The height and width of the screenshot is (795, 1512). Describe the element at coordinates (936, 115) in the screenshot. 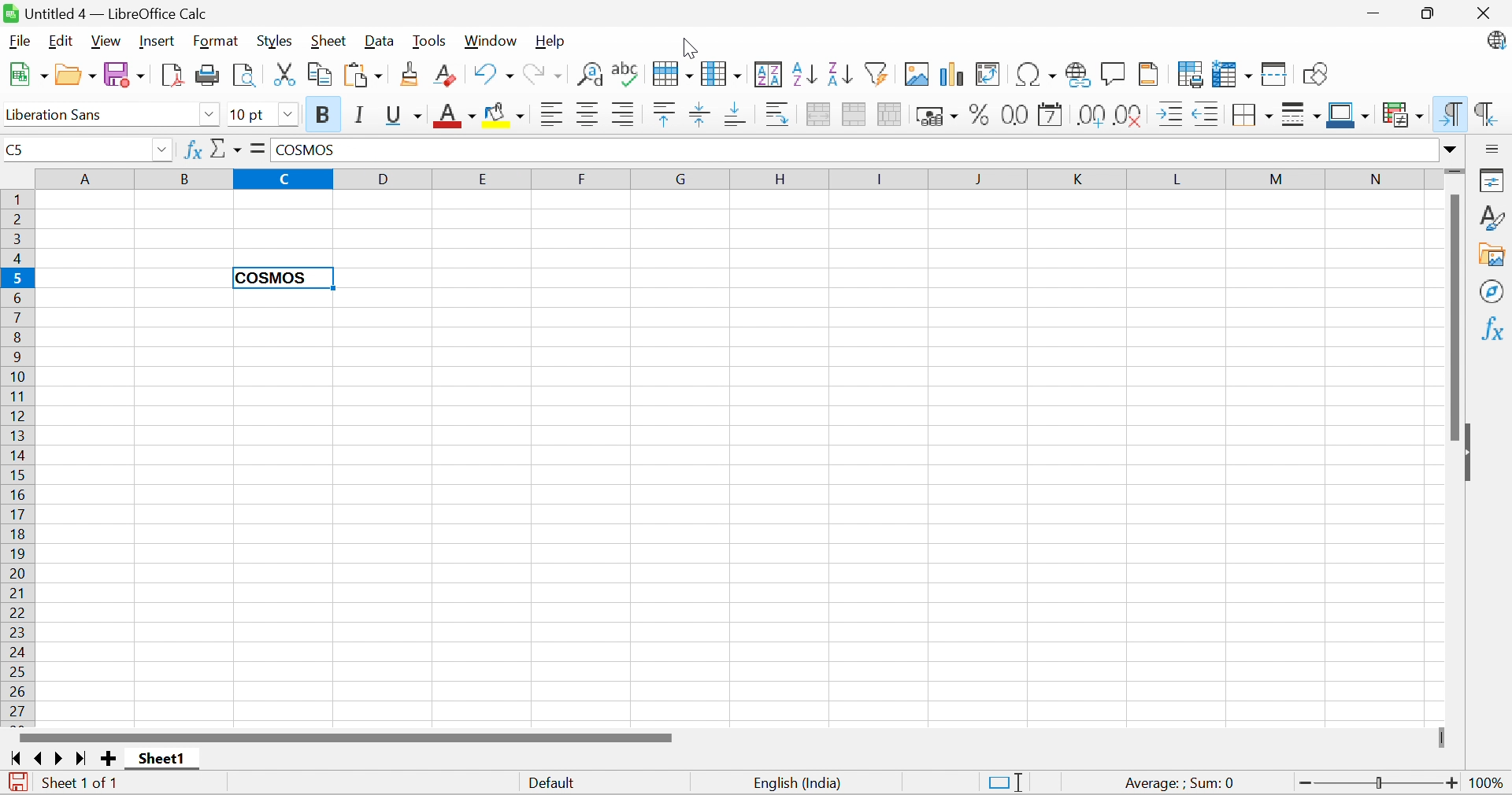

I see `Format as Currency` at that location.